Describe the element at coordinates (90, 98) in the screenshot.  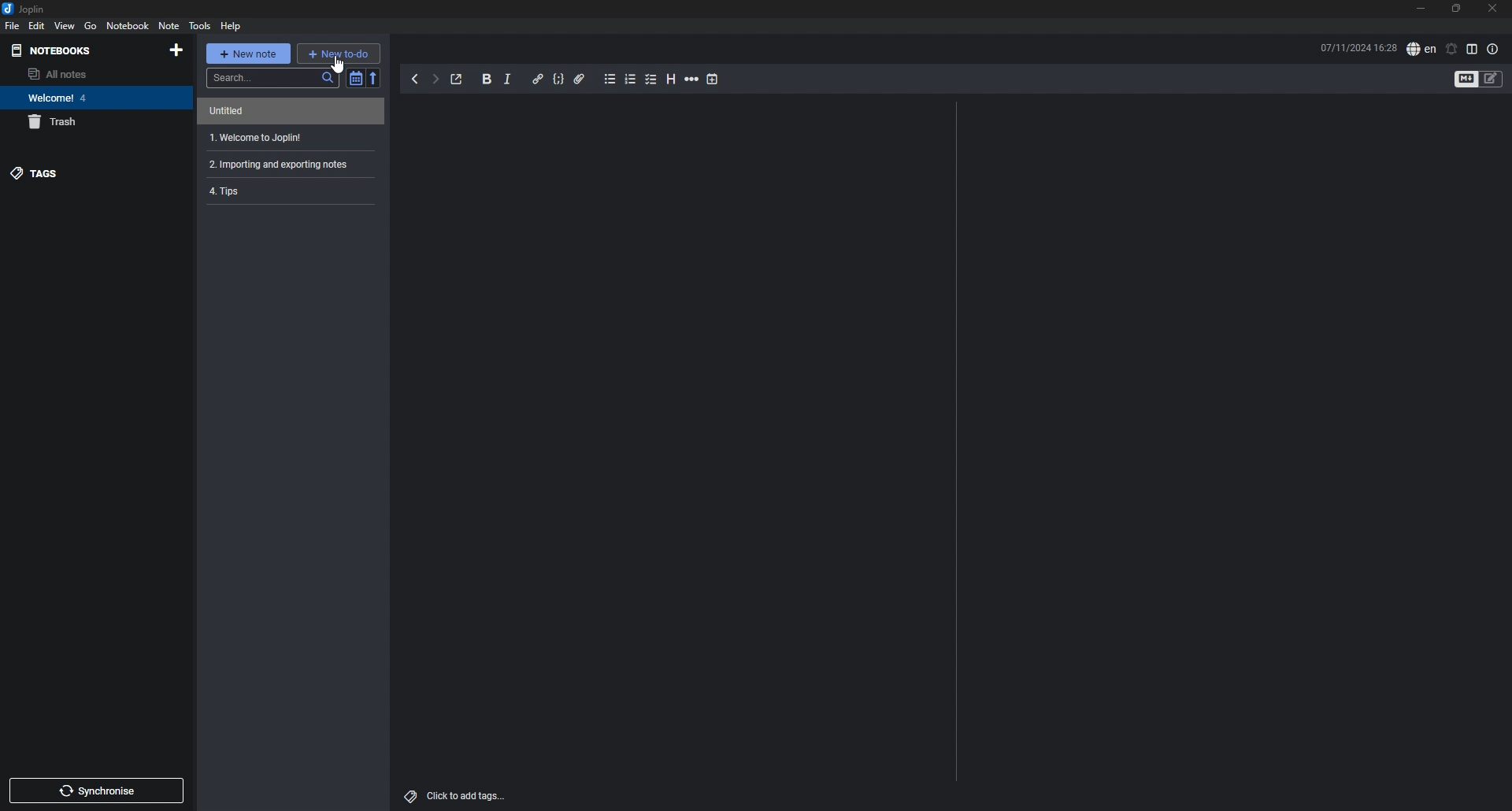
I see `notebook` at that location.